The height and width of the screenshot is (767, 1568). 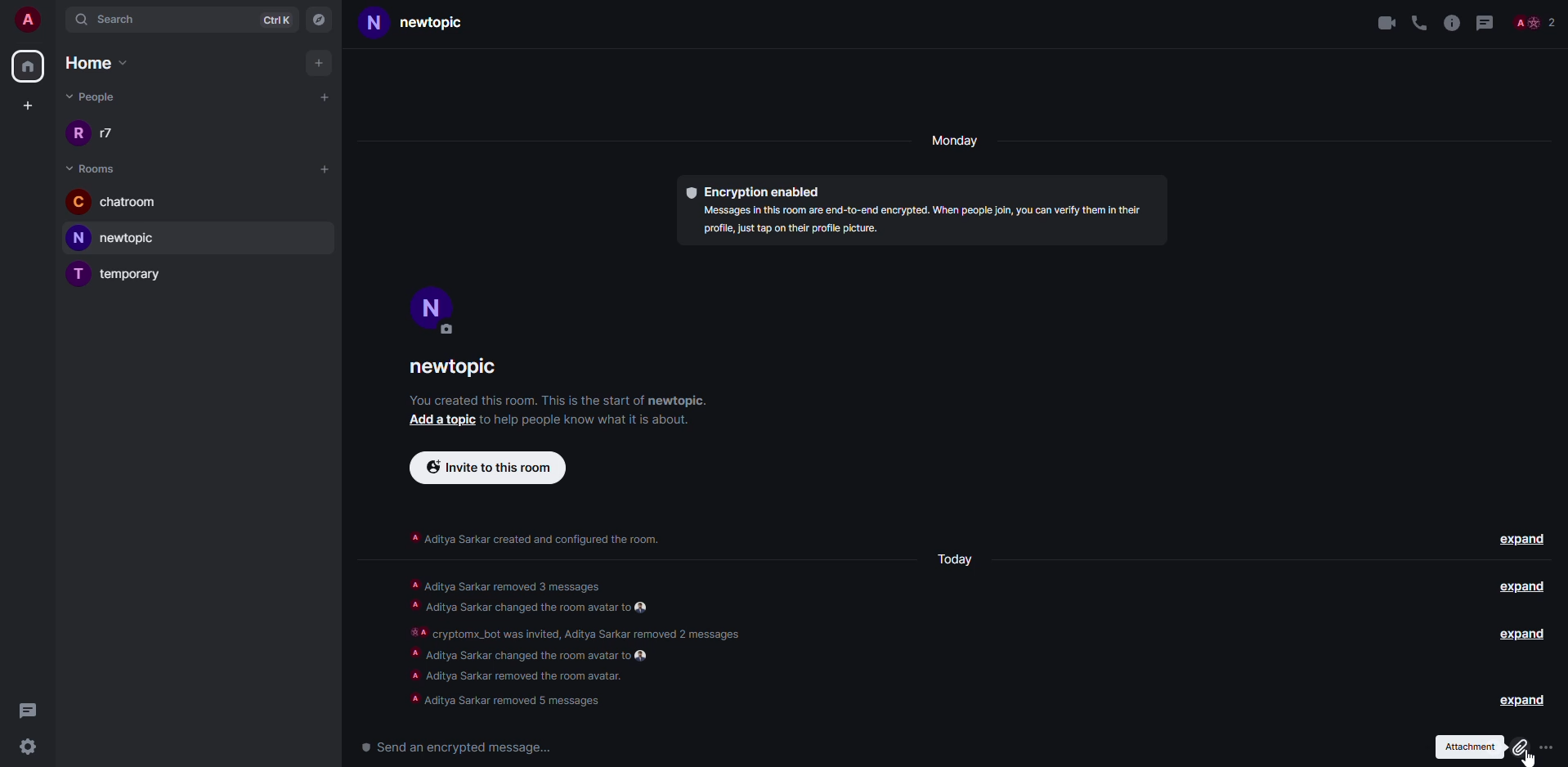 I want to click on settings, so click(x=31, y=747).